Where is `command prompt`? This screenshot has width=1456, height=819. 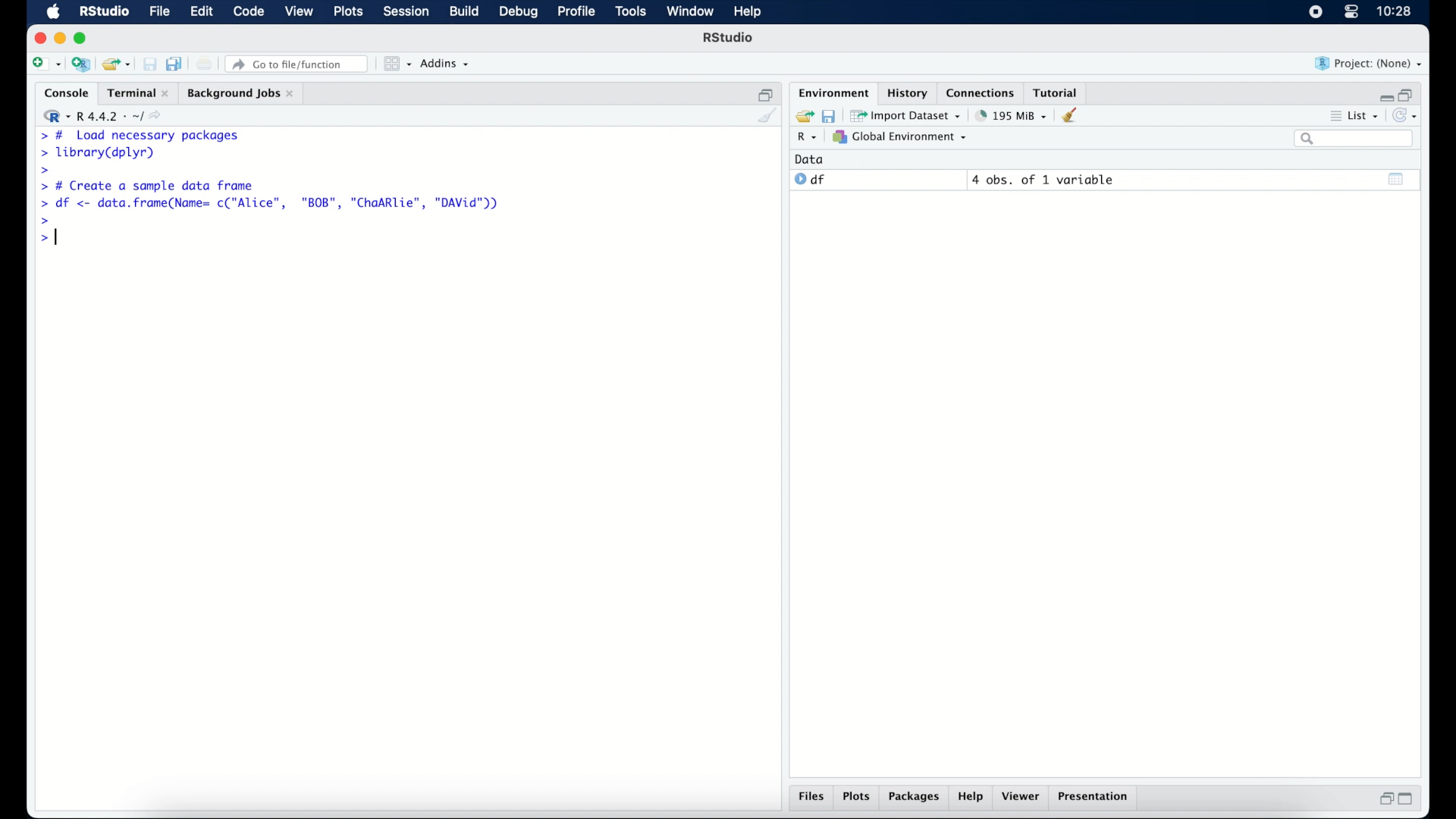 command prompt is located at coordinates (42, 171).